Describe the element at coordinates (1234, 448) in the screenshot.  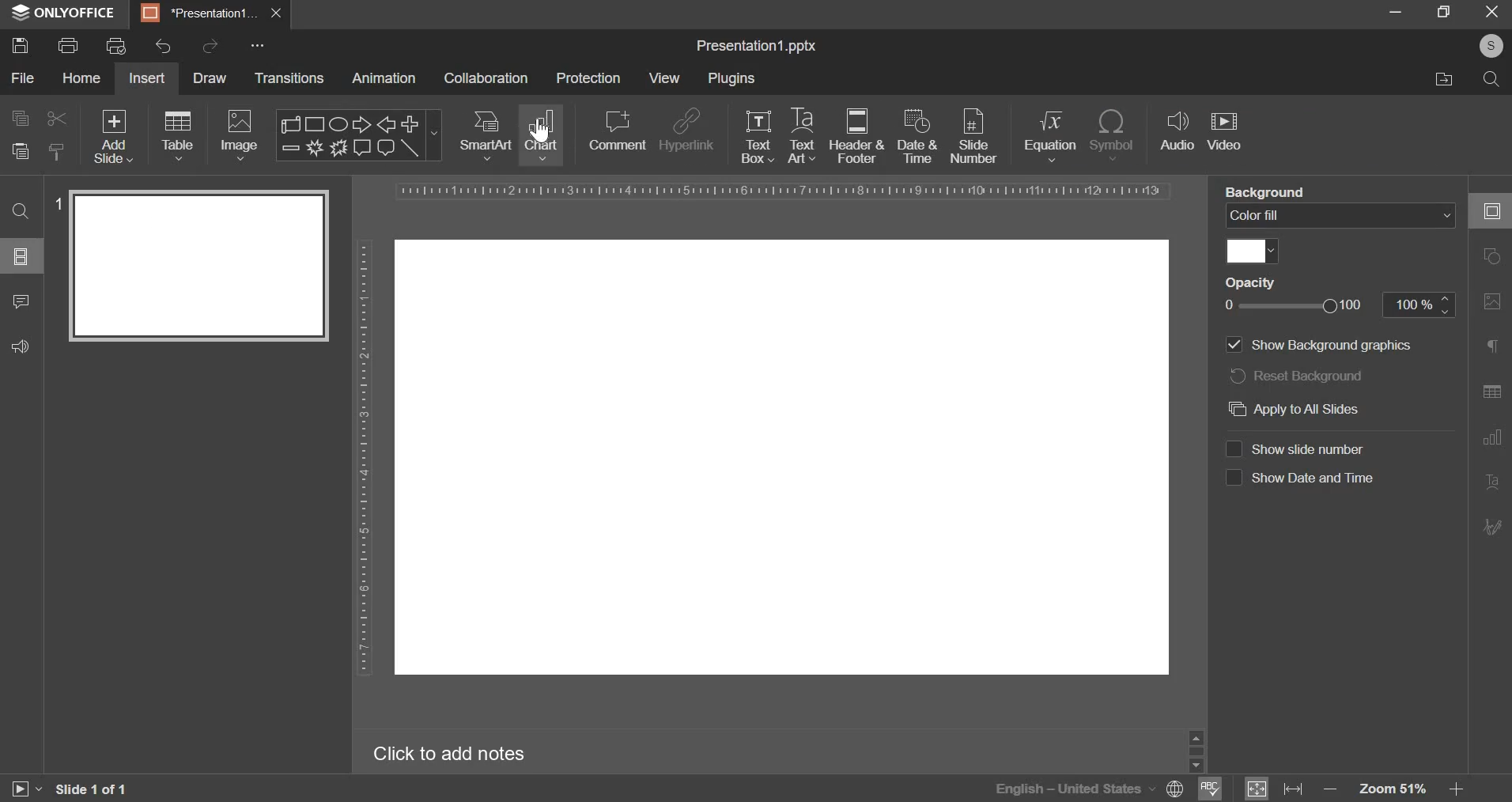
I see `check box` at that location.